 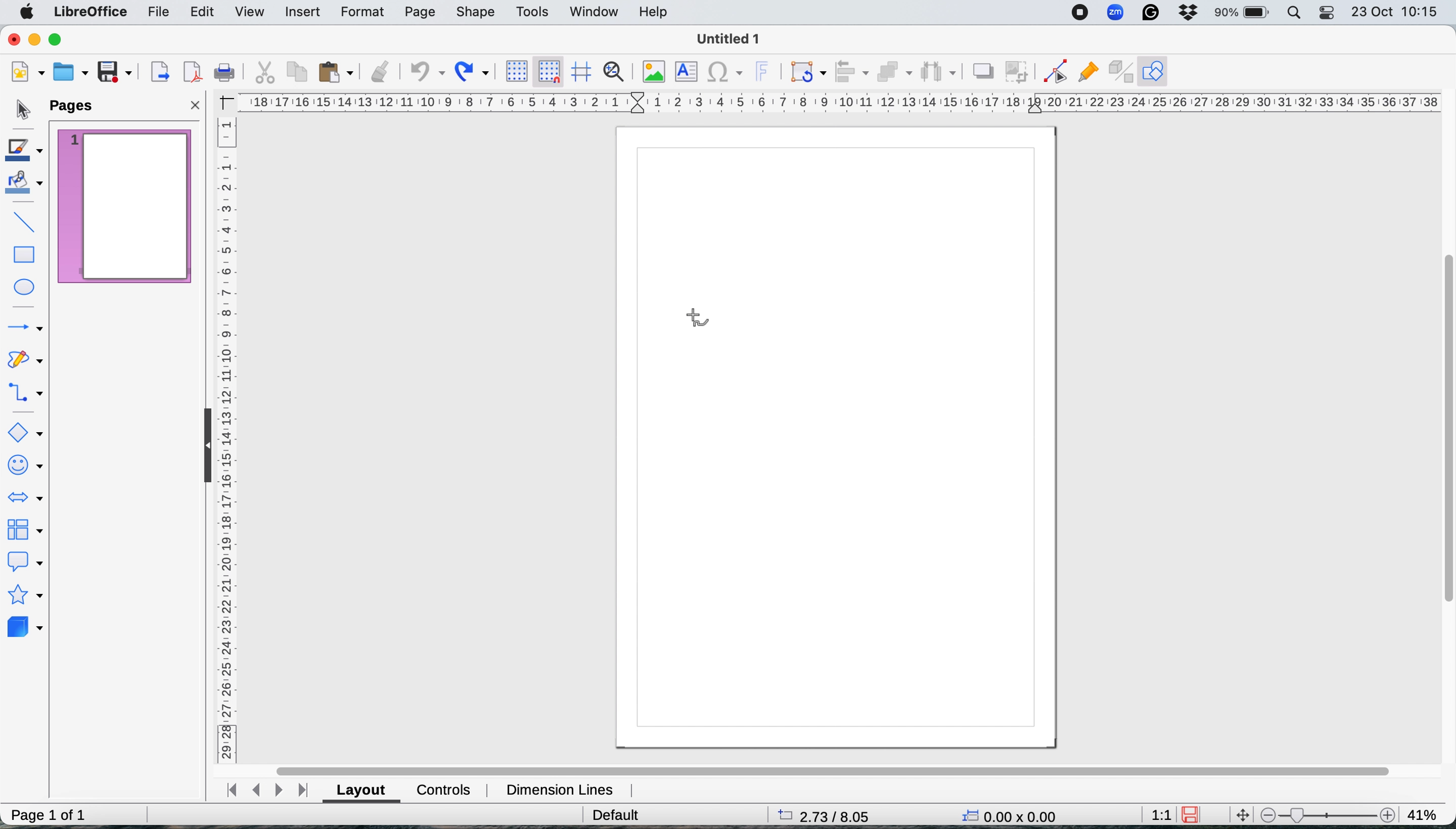 I want to click on select atleast three objects to distribute, so click(x=938, y=72).